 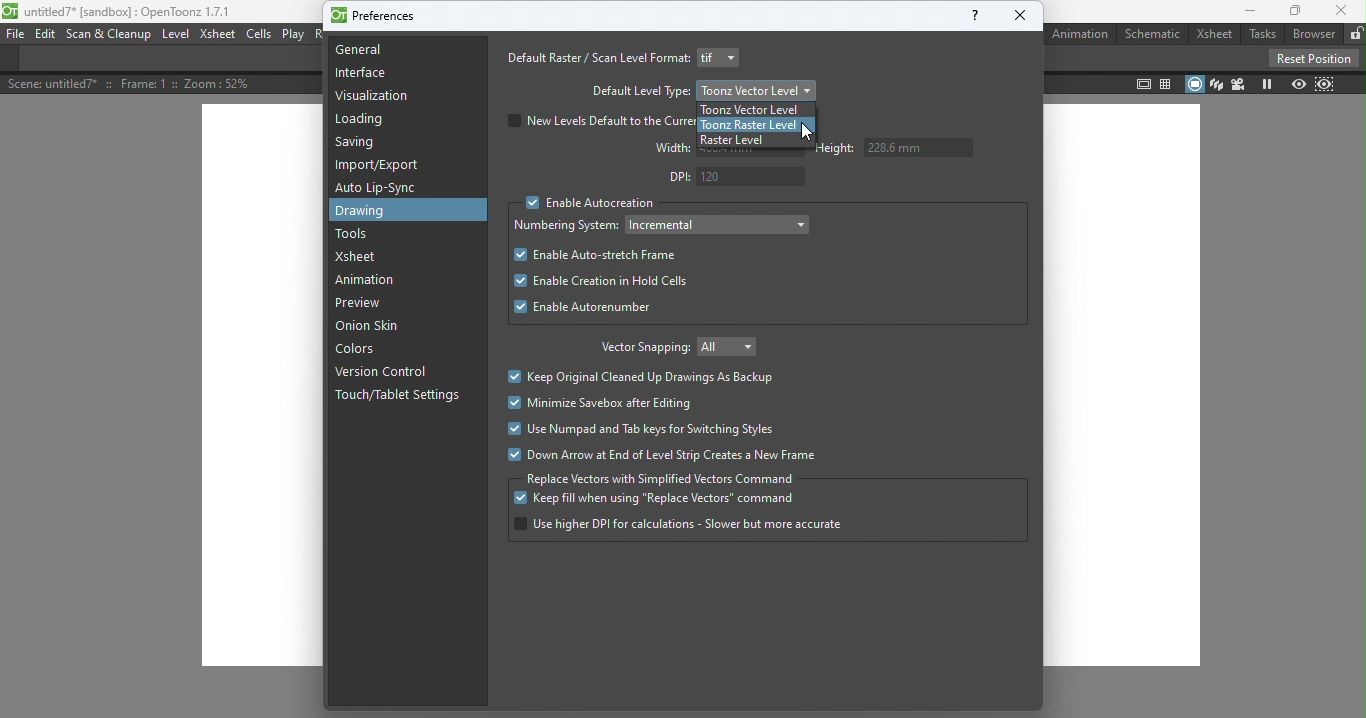 What do you see at coordinates (1293, 11) in the screenshot?
I see `Maximize` at bounding box center [1293, 11].